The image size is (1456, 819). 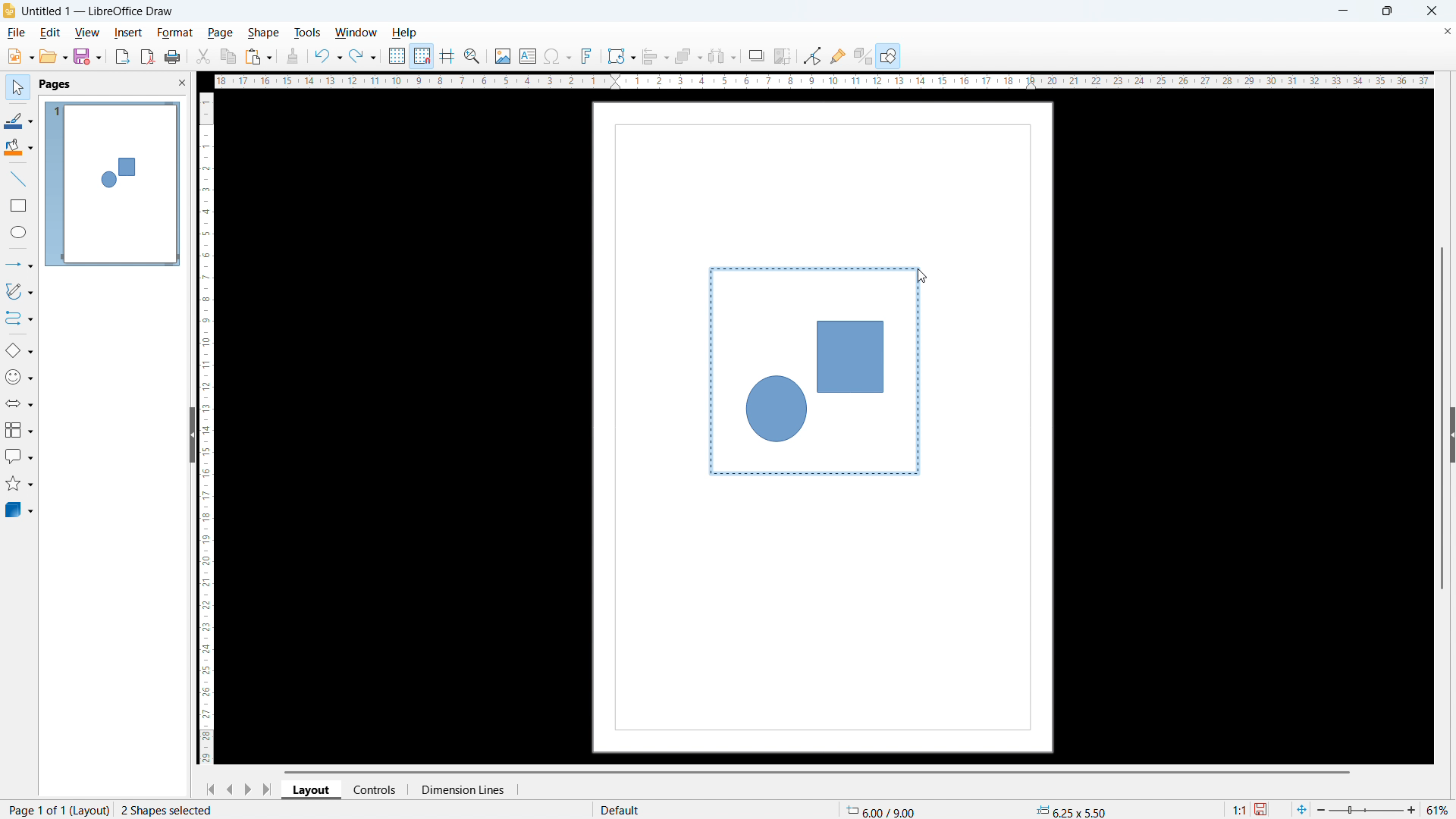 I want to click on open draw functions, so click(x=891, y=55).